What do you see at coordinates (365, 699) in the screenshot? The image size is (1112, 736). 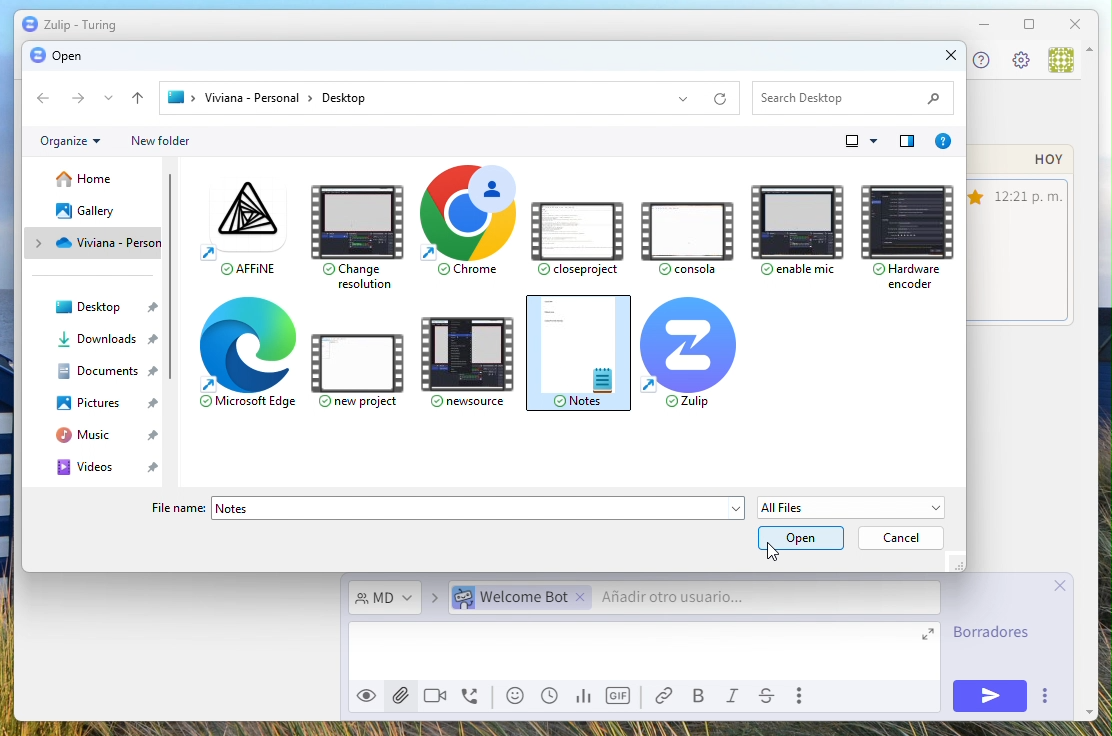 I see `view` at bounding box center [365, 699].